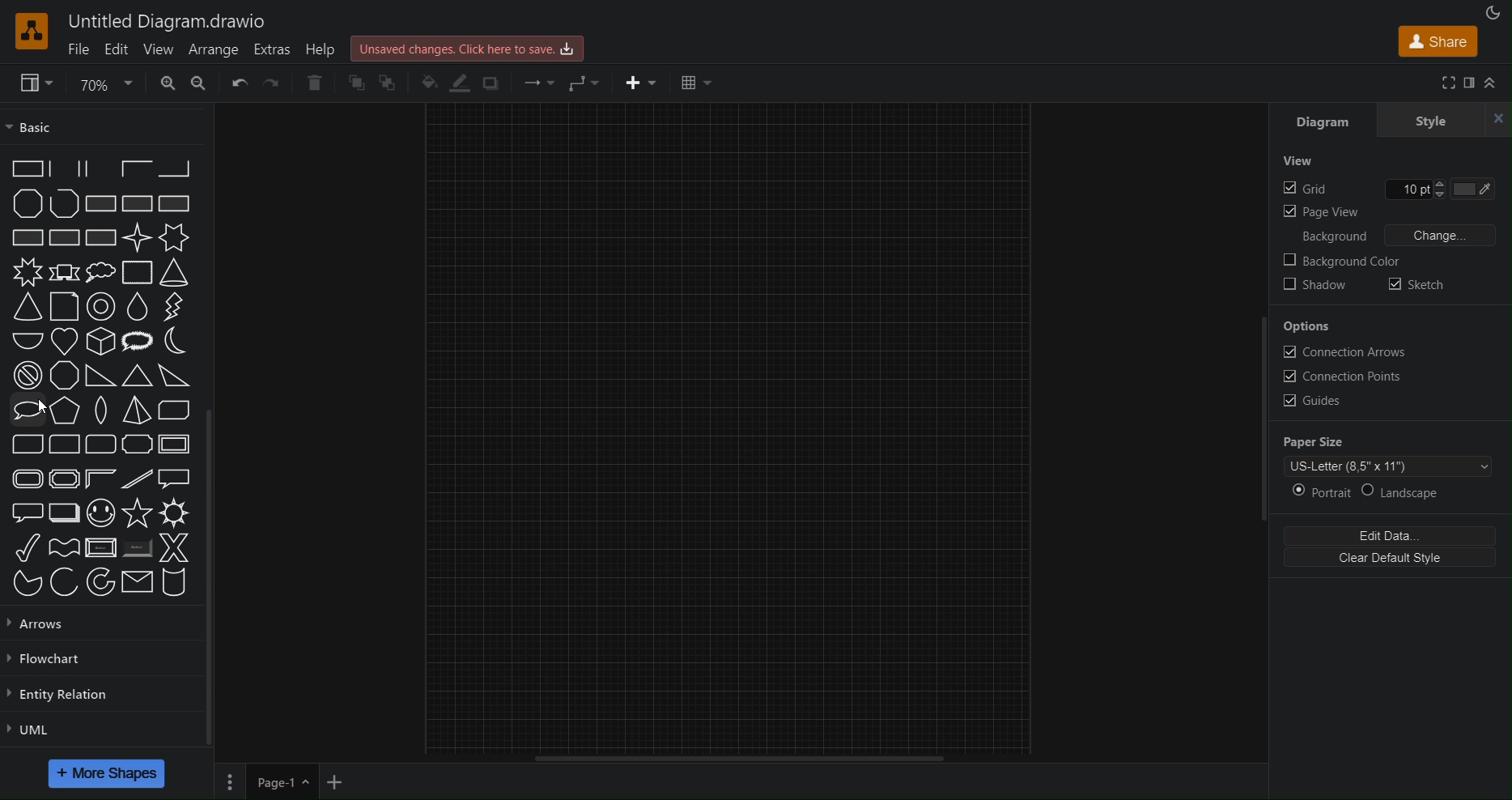  I want to click on Button, so click(100, 547).